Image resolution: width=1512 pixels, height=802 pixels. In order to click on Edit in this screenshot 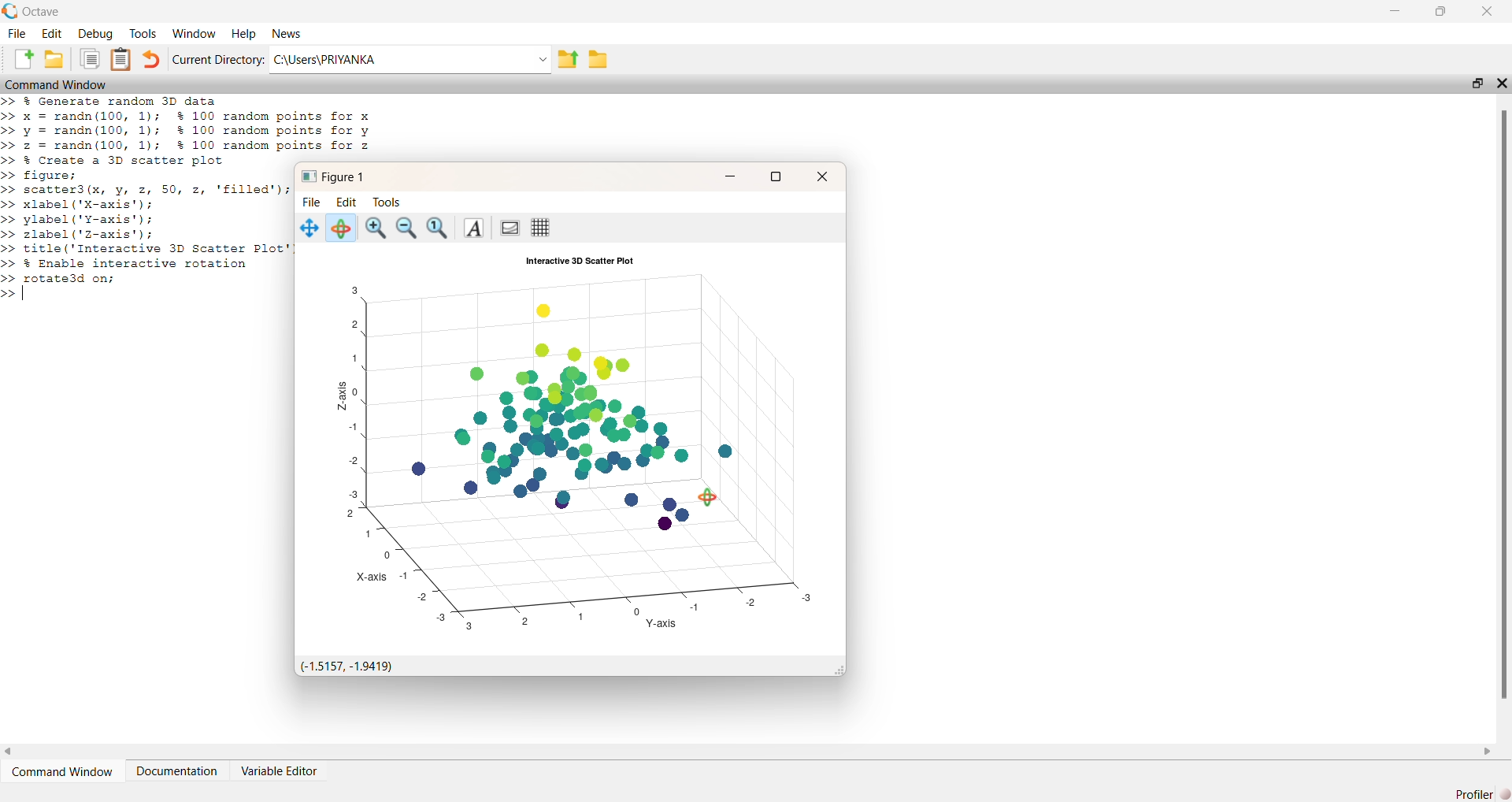, I will do `click(51, 34)`.